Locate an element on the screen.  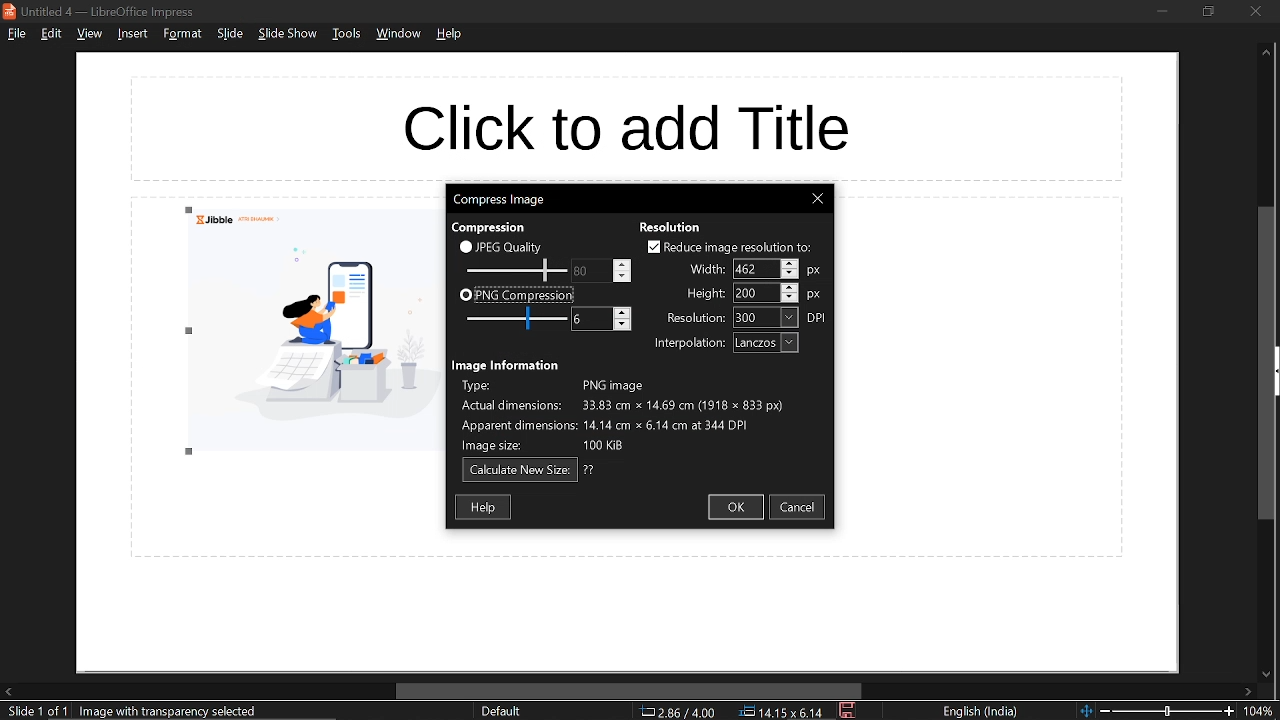
space for title is located at coordinates (629, 127).